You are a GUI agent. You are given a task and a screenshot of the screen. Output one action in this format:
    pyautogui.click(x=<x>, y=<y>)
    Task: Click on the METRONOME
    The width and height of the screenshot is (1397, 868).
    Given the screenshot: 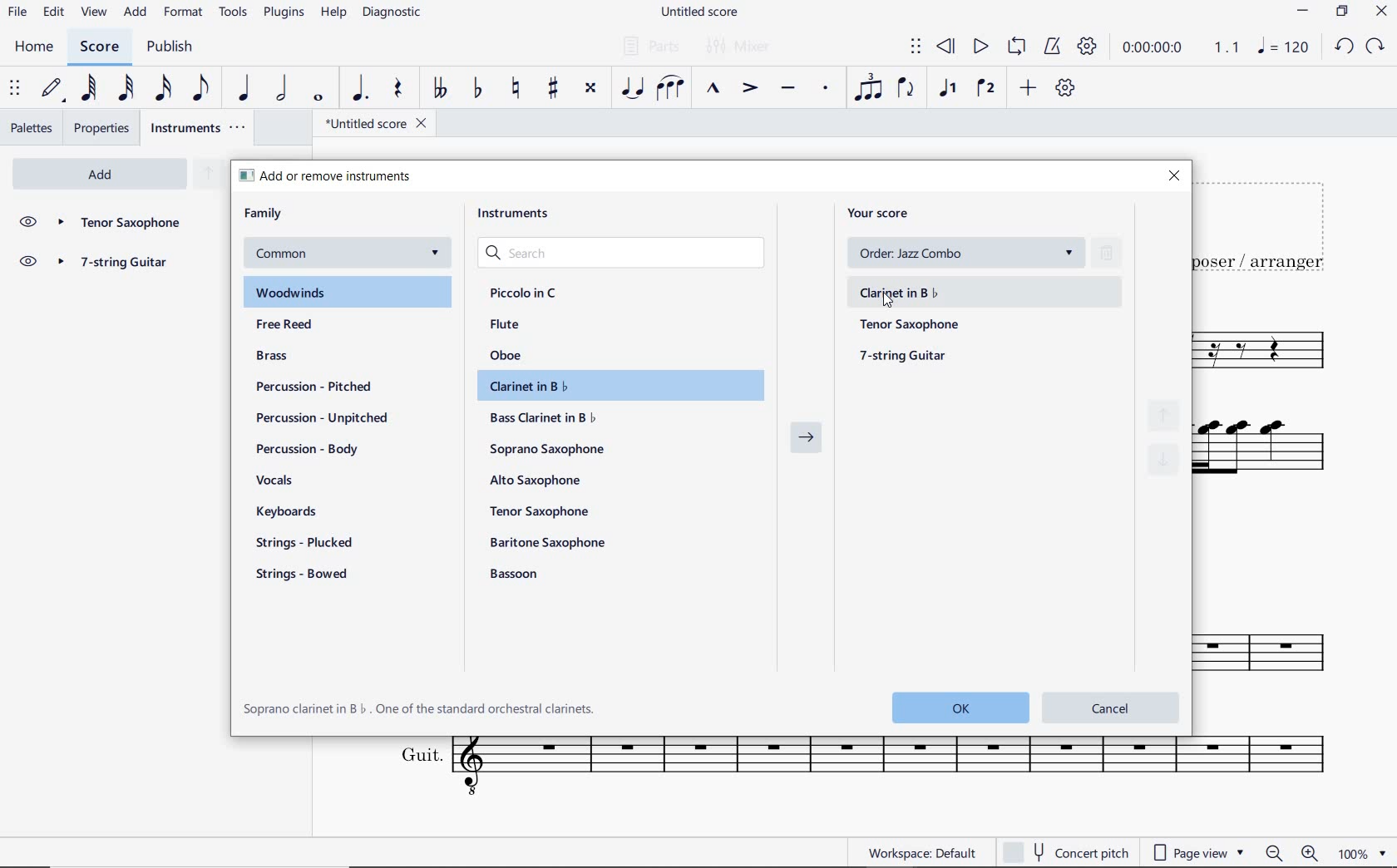 What is the action you would take?
    pyautogui.click(x=1051, y=47)
    